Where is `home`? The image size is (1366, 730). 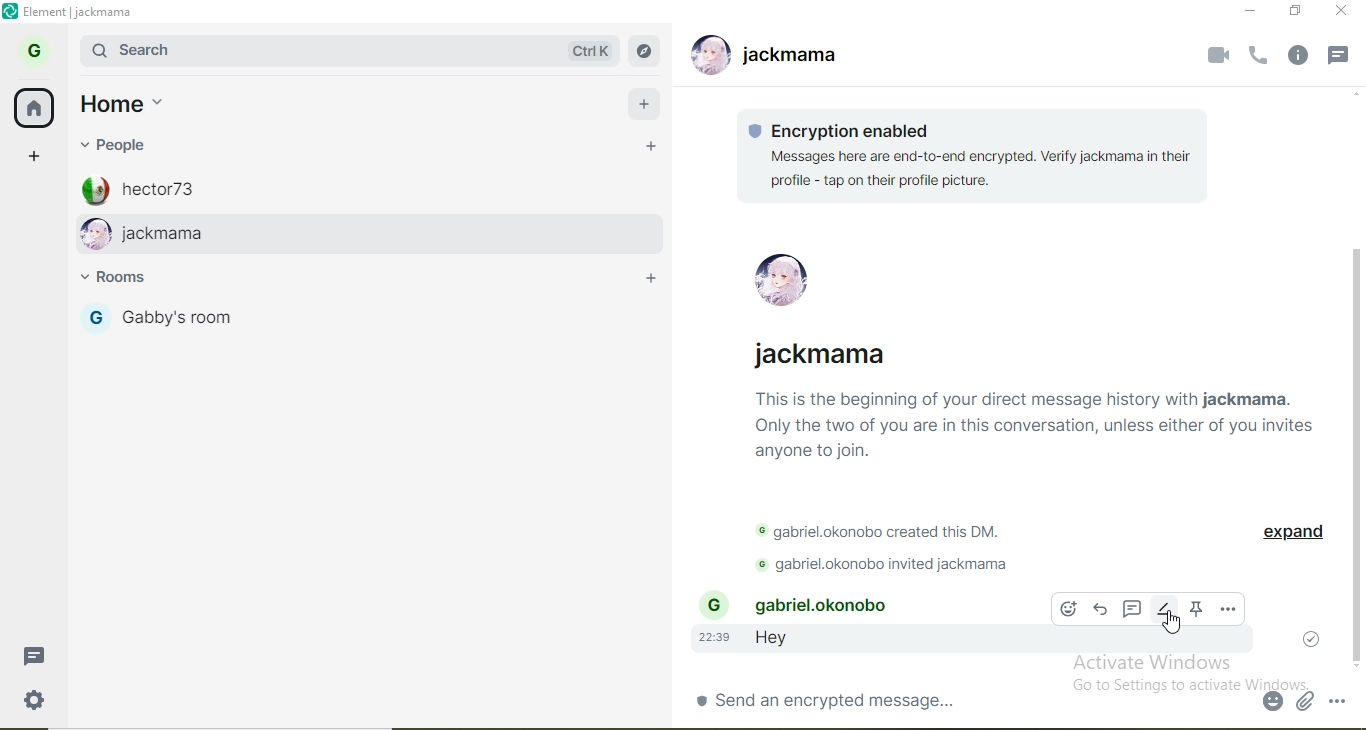
home is located at coordinates (34, 110).